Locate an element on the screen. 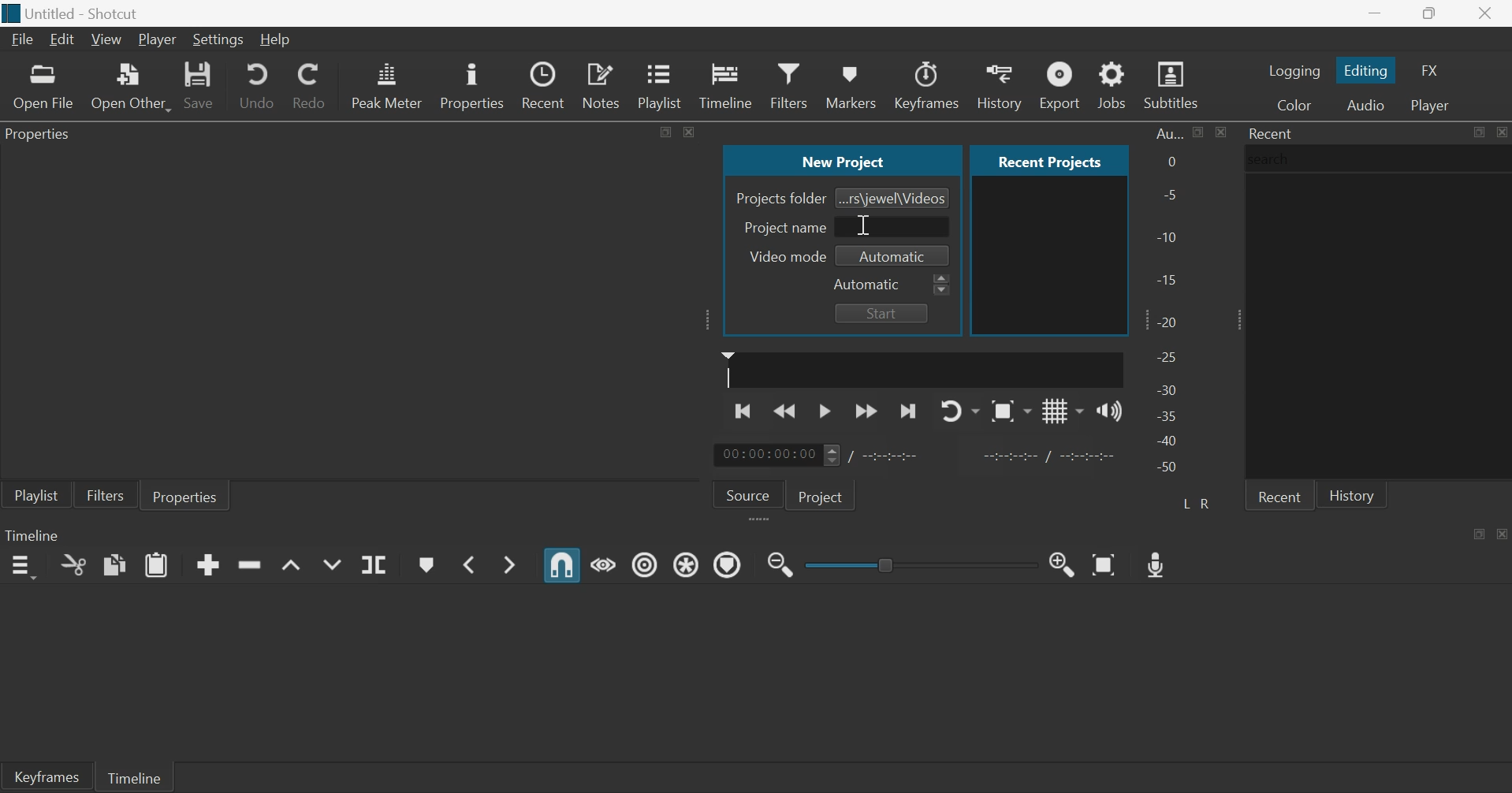 The width and height of the screenshot is (1512, 793). Scrub while dragging is located at coordinates (604, 563).